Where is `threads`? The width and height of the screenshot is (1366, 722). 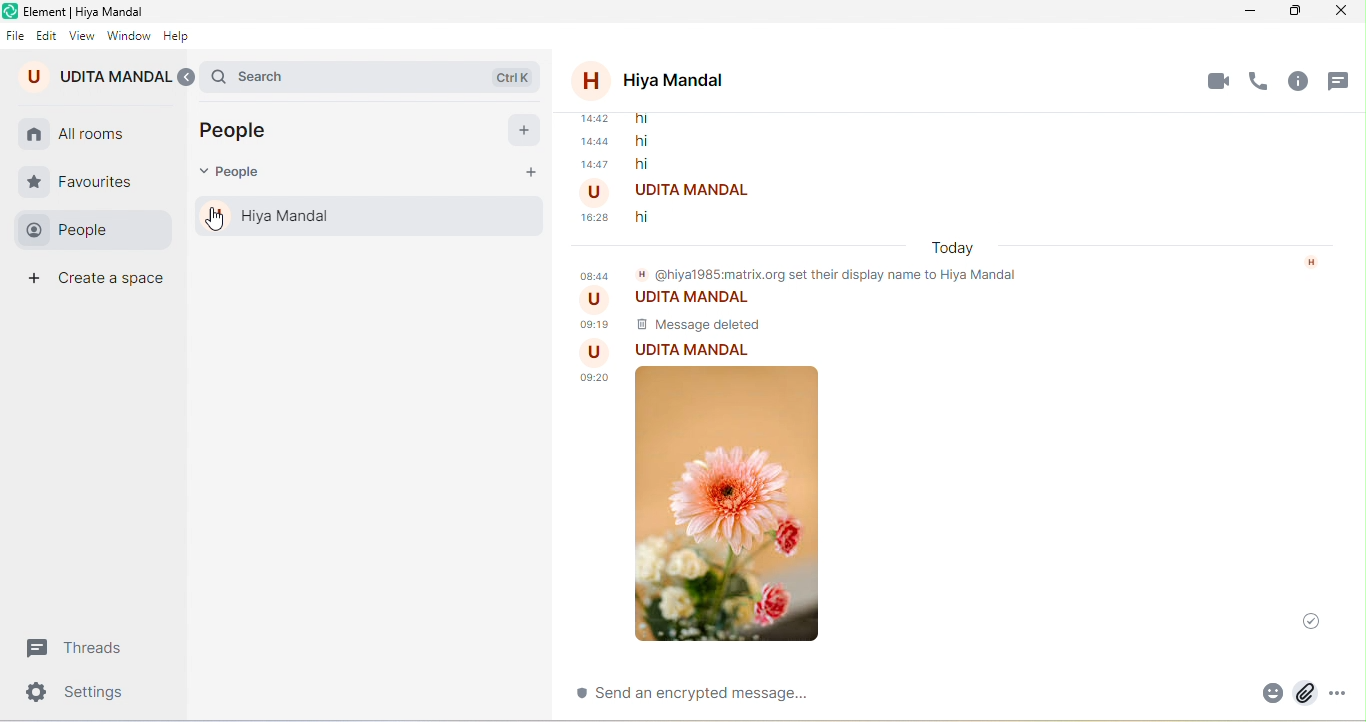 threads is located at coordinates (85, 647).